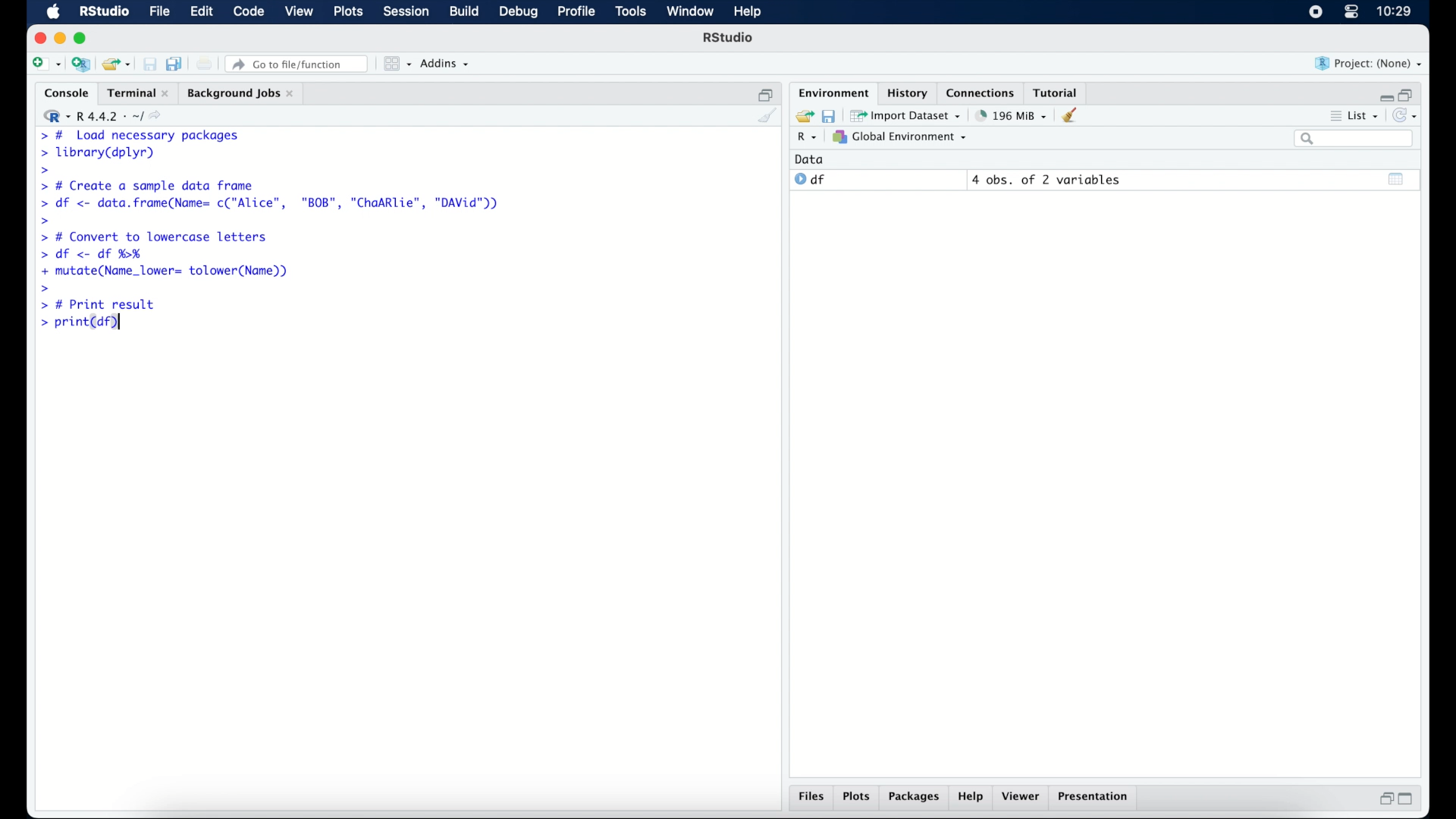  What do you see at coordinates (810, 180) in the screenshot?
I see `df` at bounding box center [810, 180].